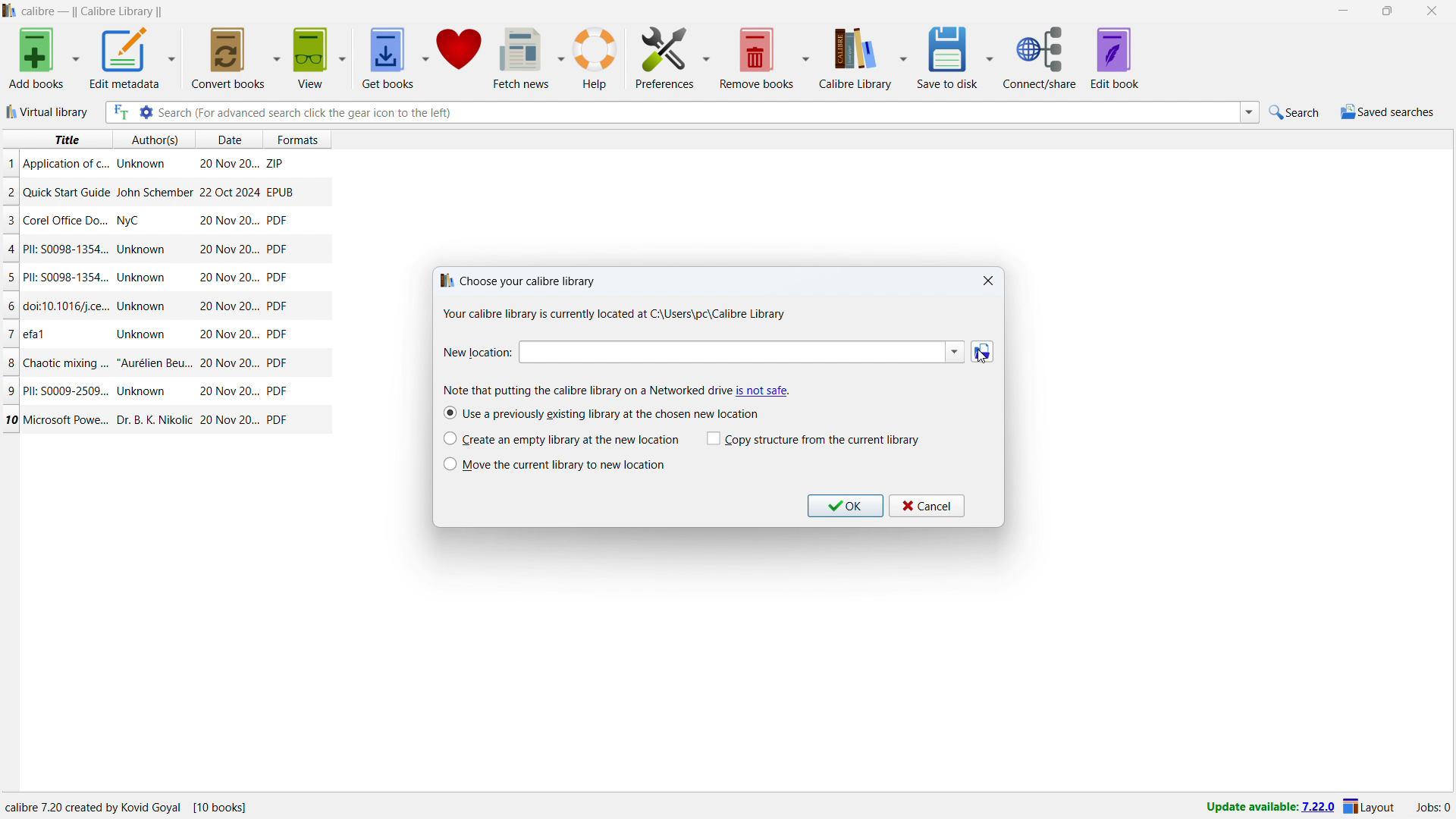  Describe the element at coordinates (65, 140) in the screenshot. I see `title` at that location.